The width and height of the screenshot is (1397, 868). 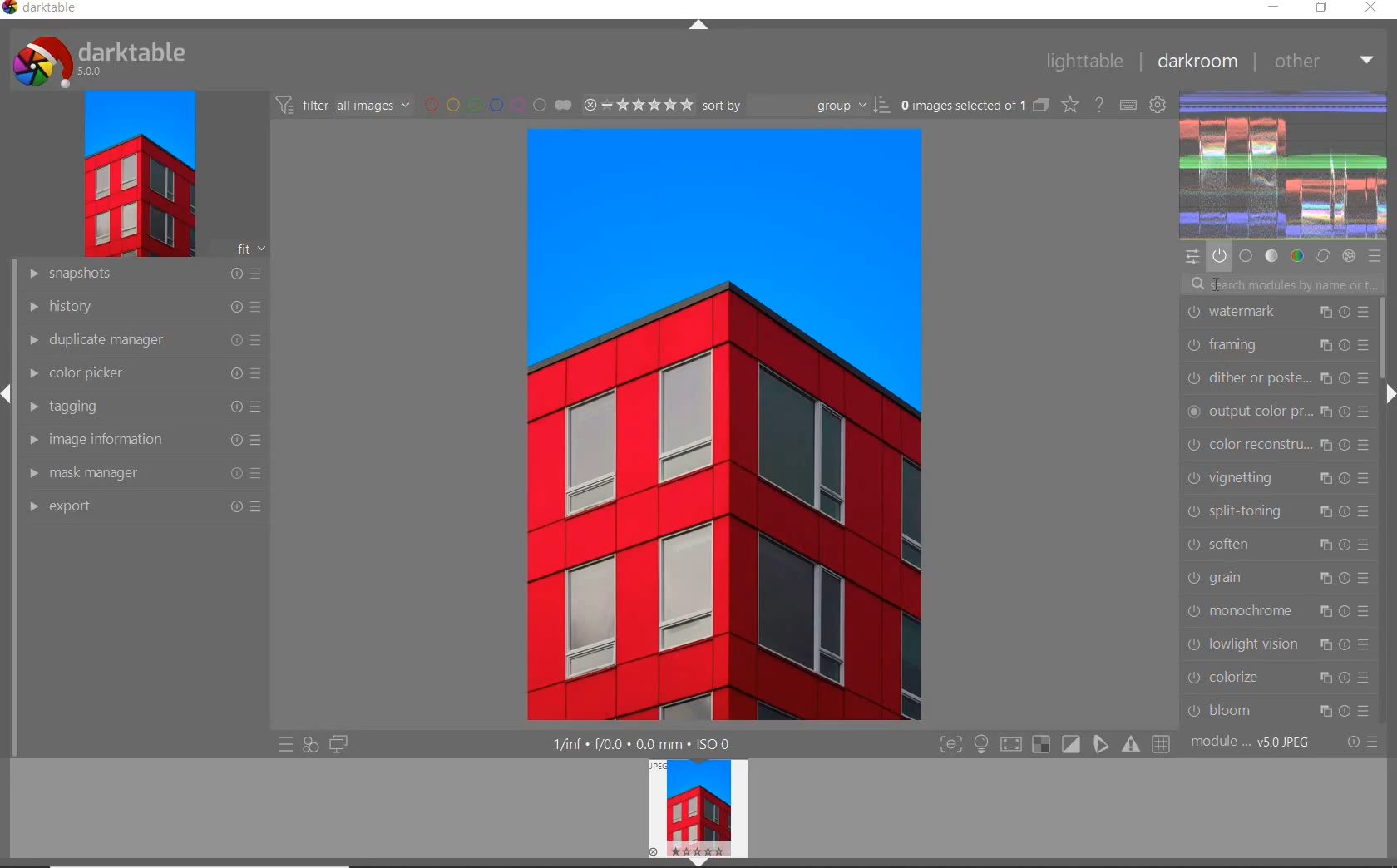 I want to click on highlight, so click(x=983, y=747).